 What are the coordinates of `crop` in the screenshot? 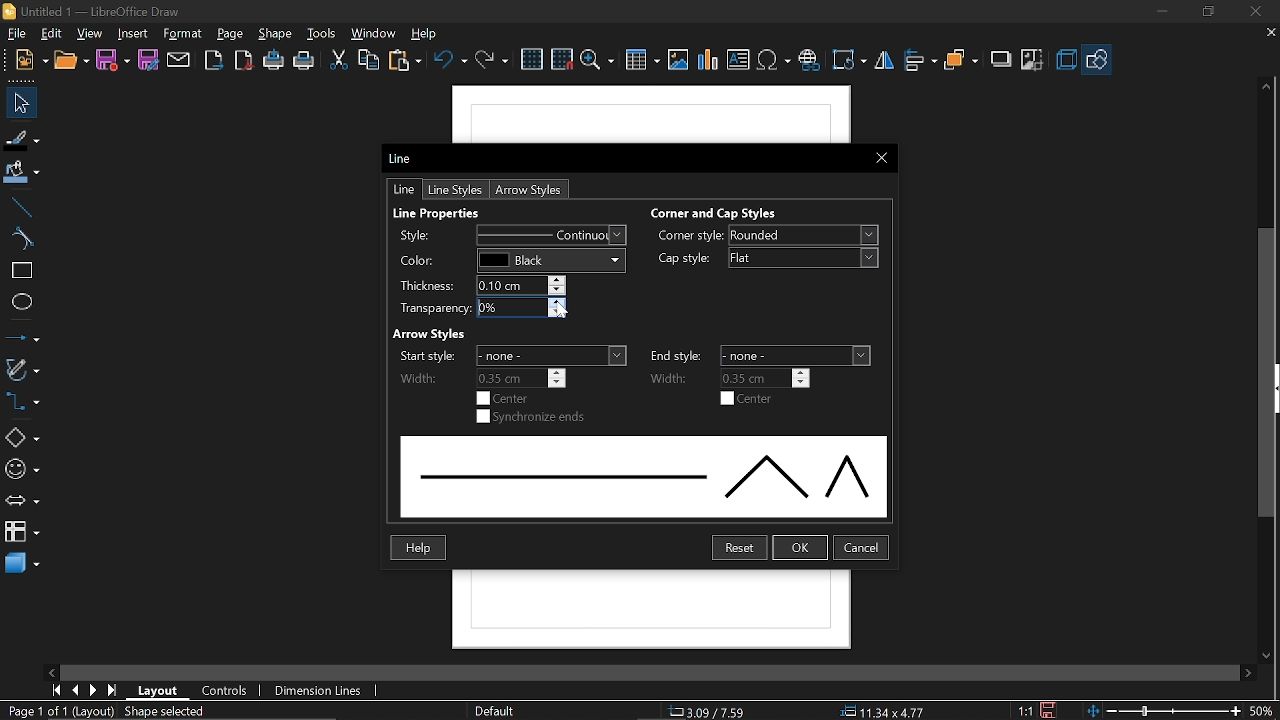 It's located at (1033, 59).